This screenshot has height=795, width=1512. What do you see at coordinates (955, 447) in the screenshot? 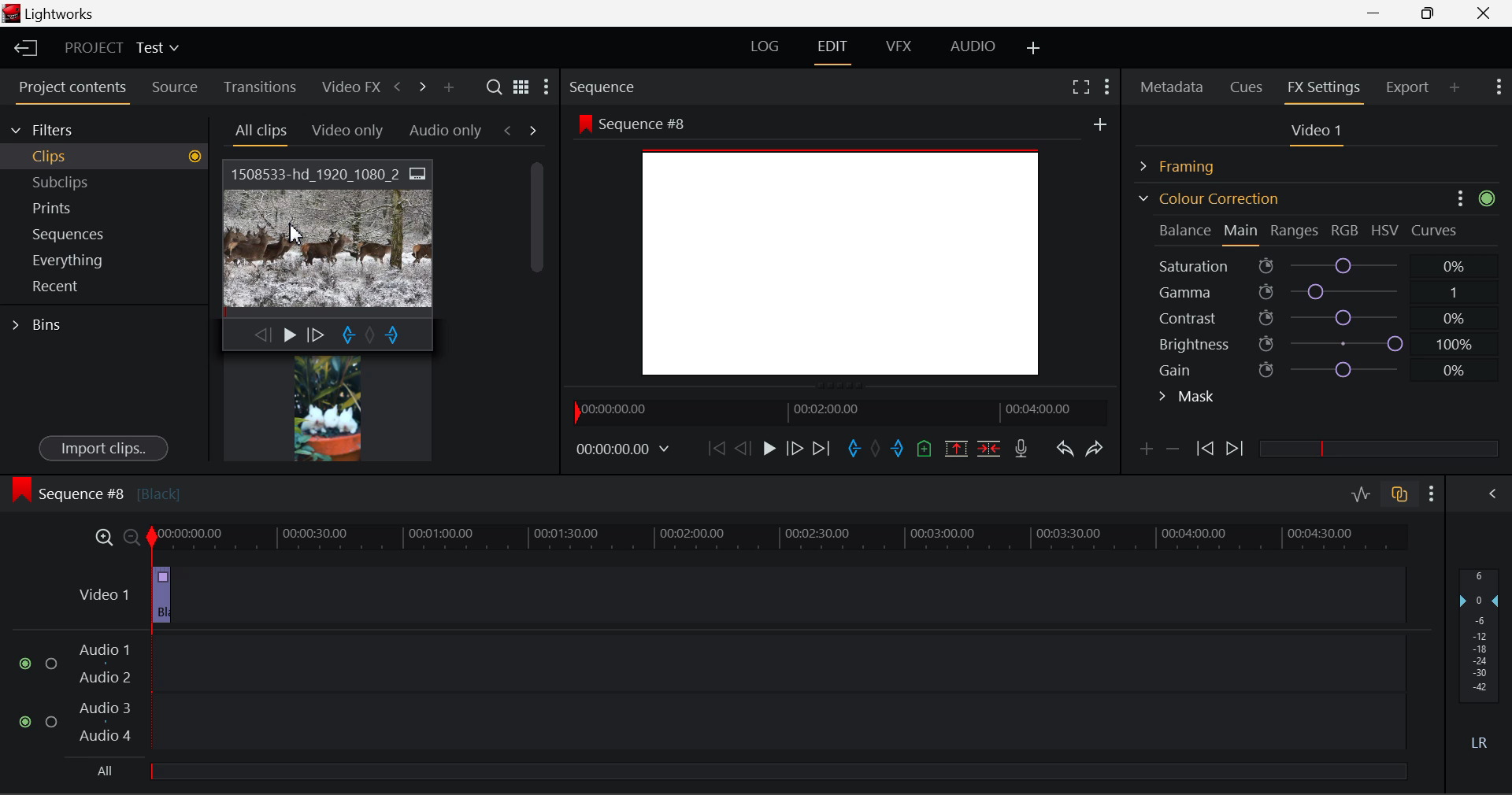
I see `Remove marked section` at bounding box center [955, 447].